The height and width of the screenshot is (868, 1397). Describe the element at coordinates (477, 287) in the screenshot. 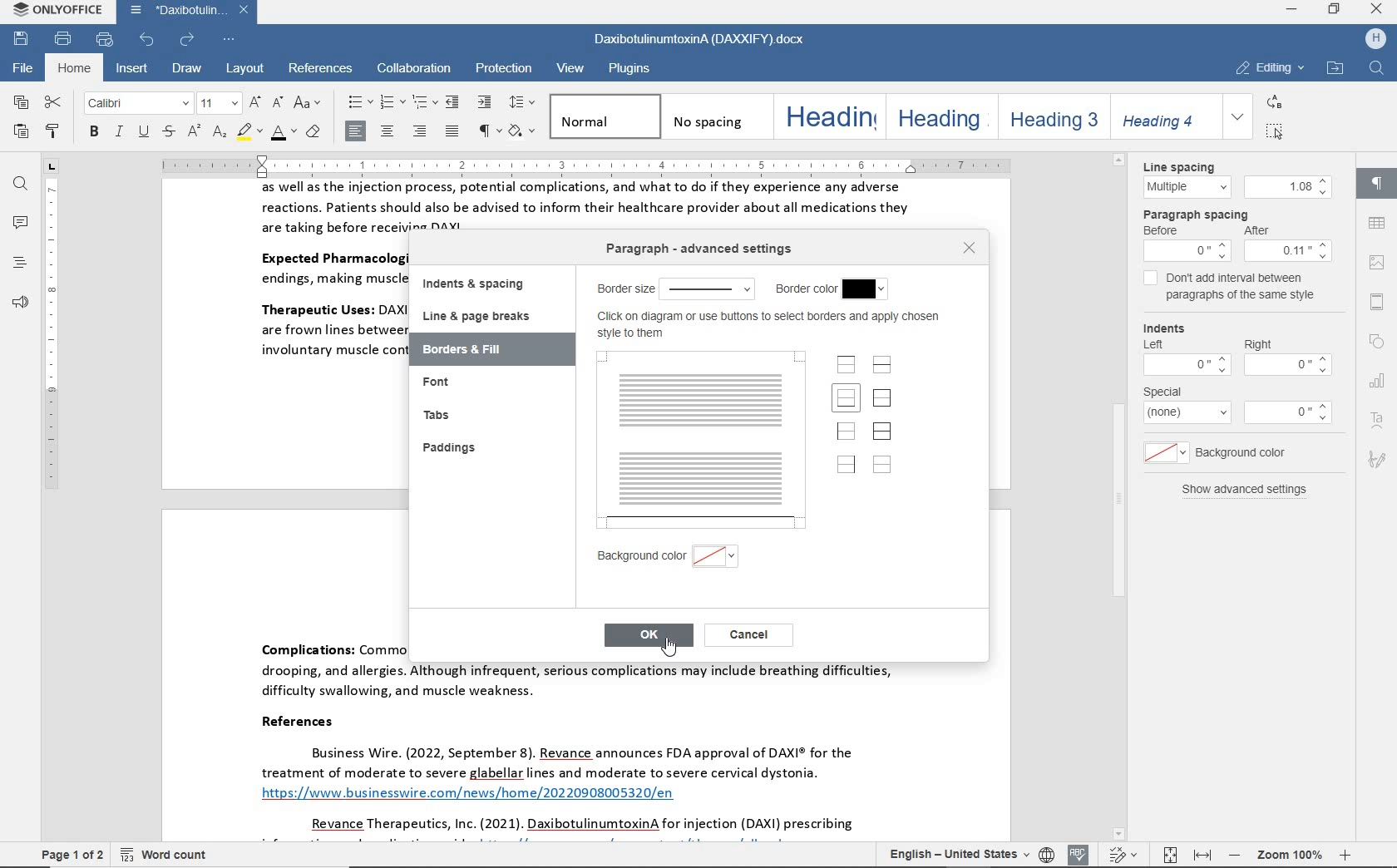

I see `indents & spacing` at that location.